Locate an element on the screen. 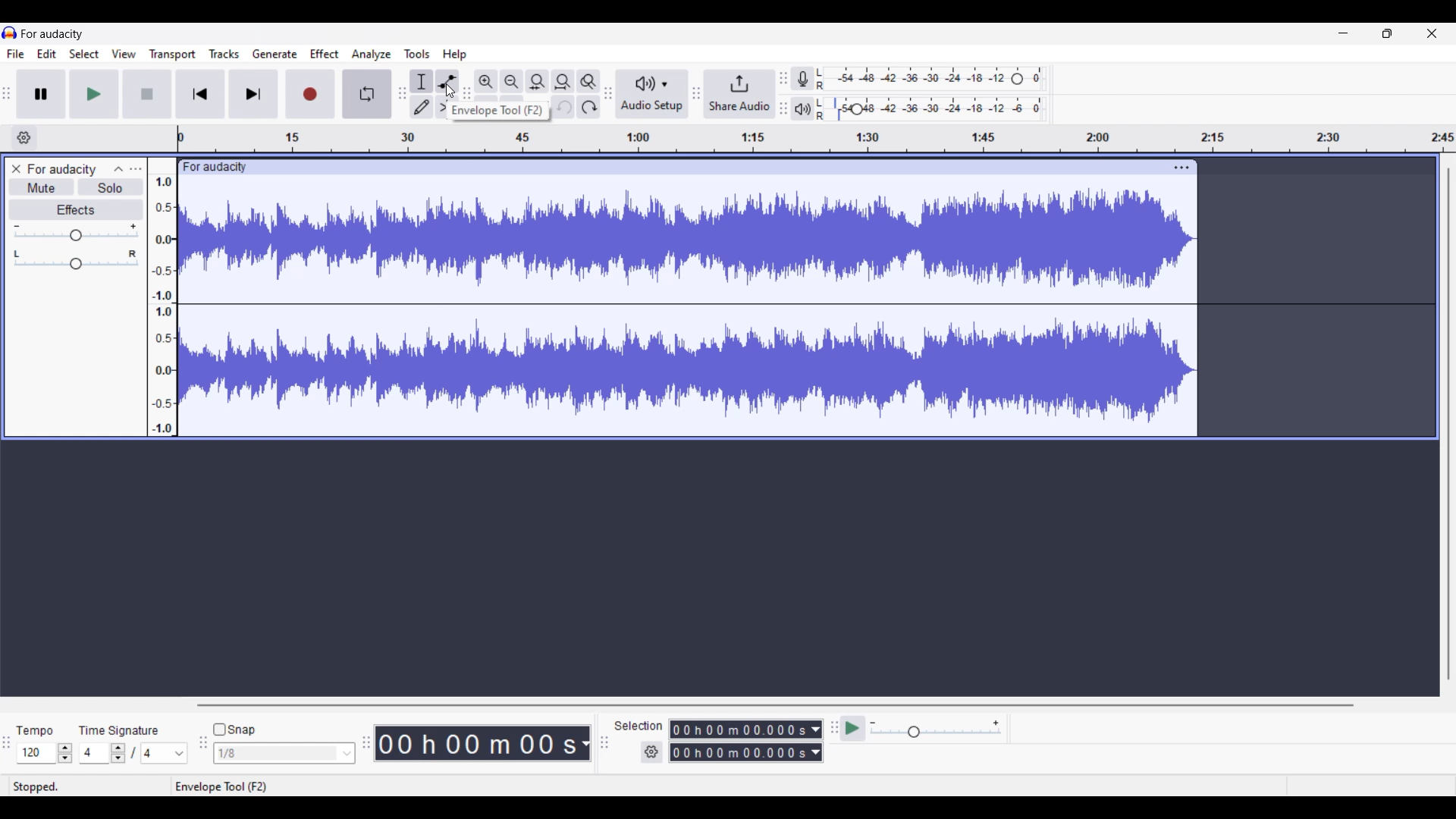  Tracks is located at coordinates (224, 54).